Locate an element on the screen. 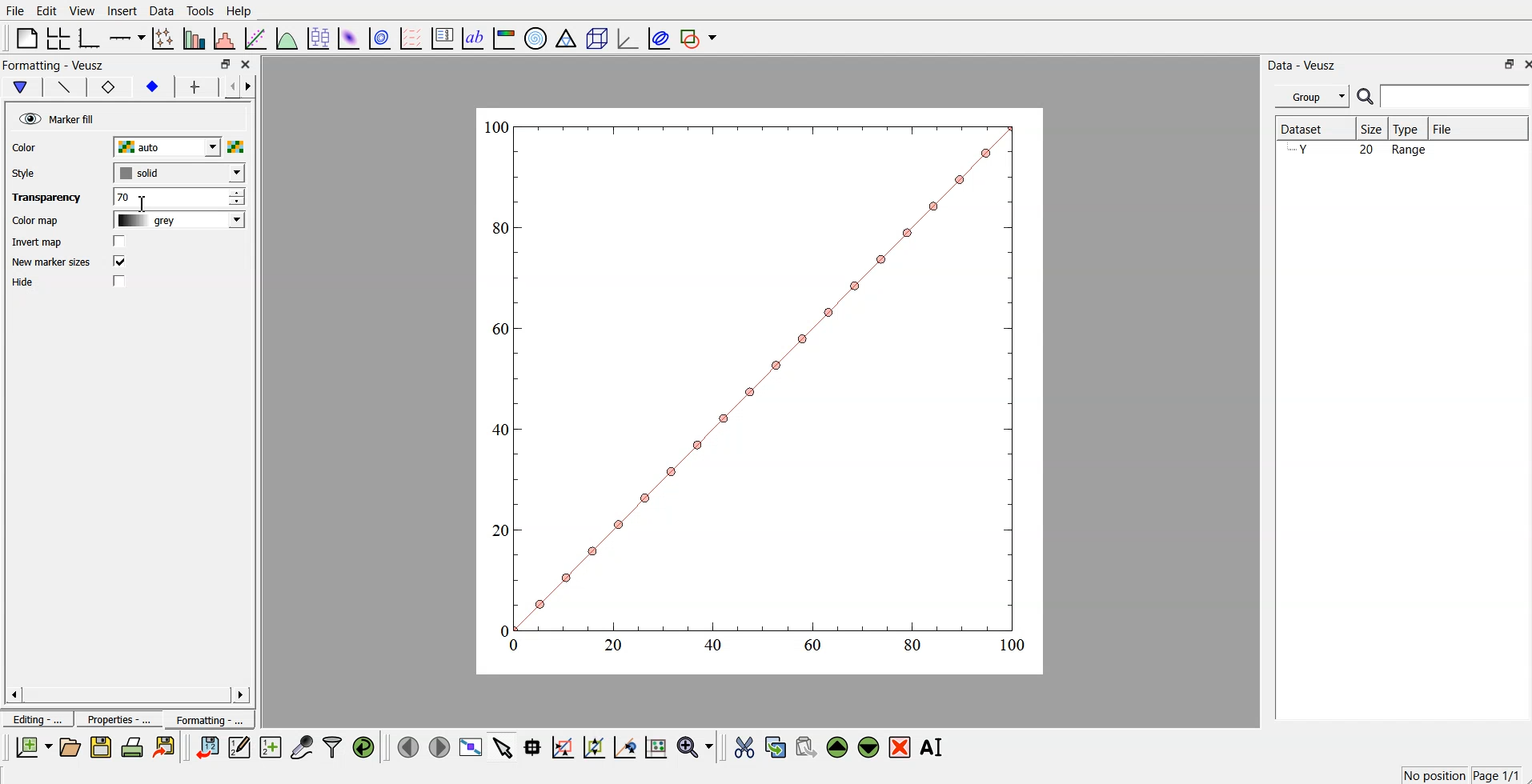 This screenshot has width=1532, height=784. Close is located at coordinates (1522, 63).